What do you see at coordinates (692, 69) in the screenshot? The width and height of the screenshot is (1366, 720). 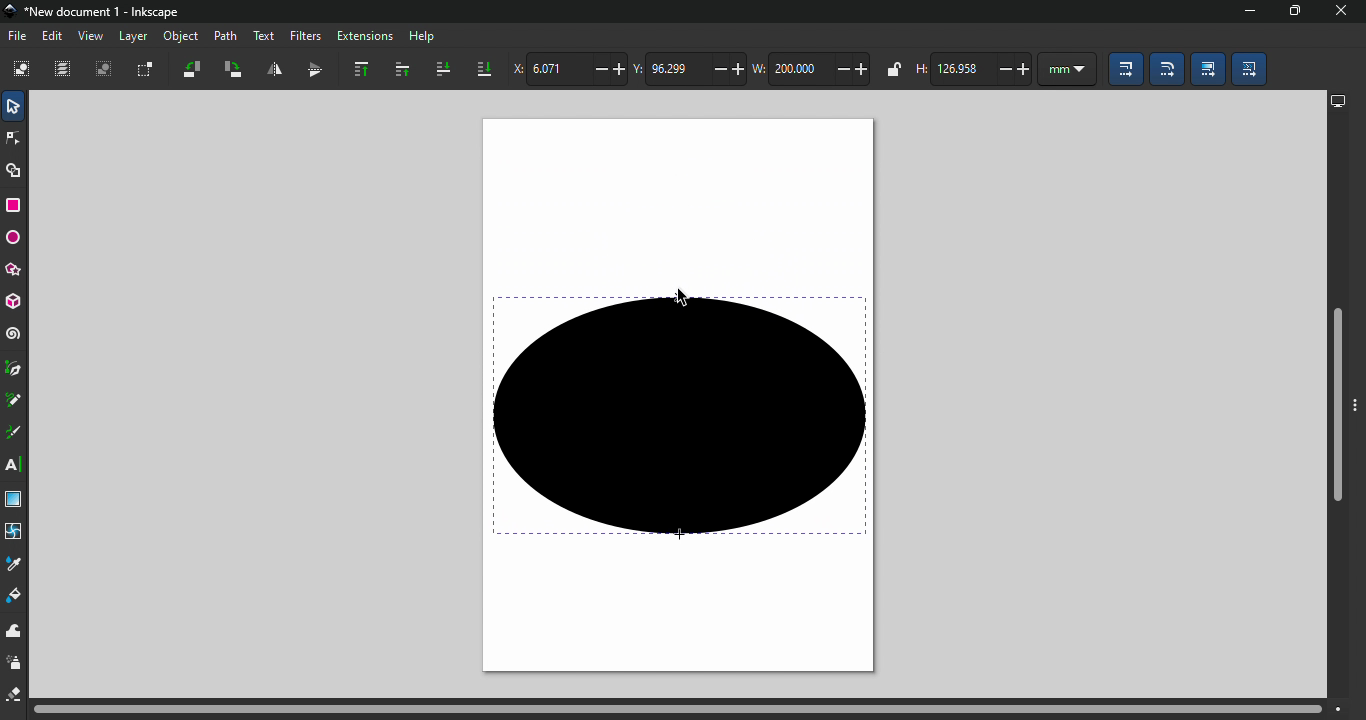 I see `Vertical coordinate of selection` at bounding box center [692, 69].